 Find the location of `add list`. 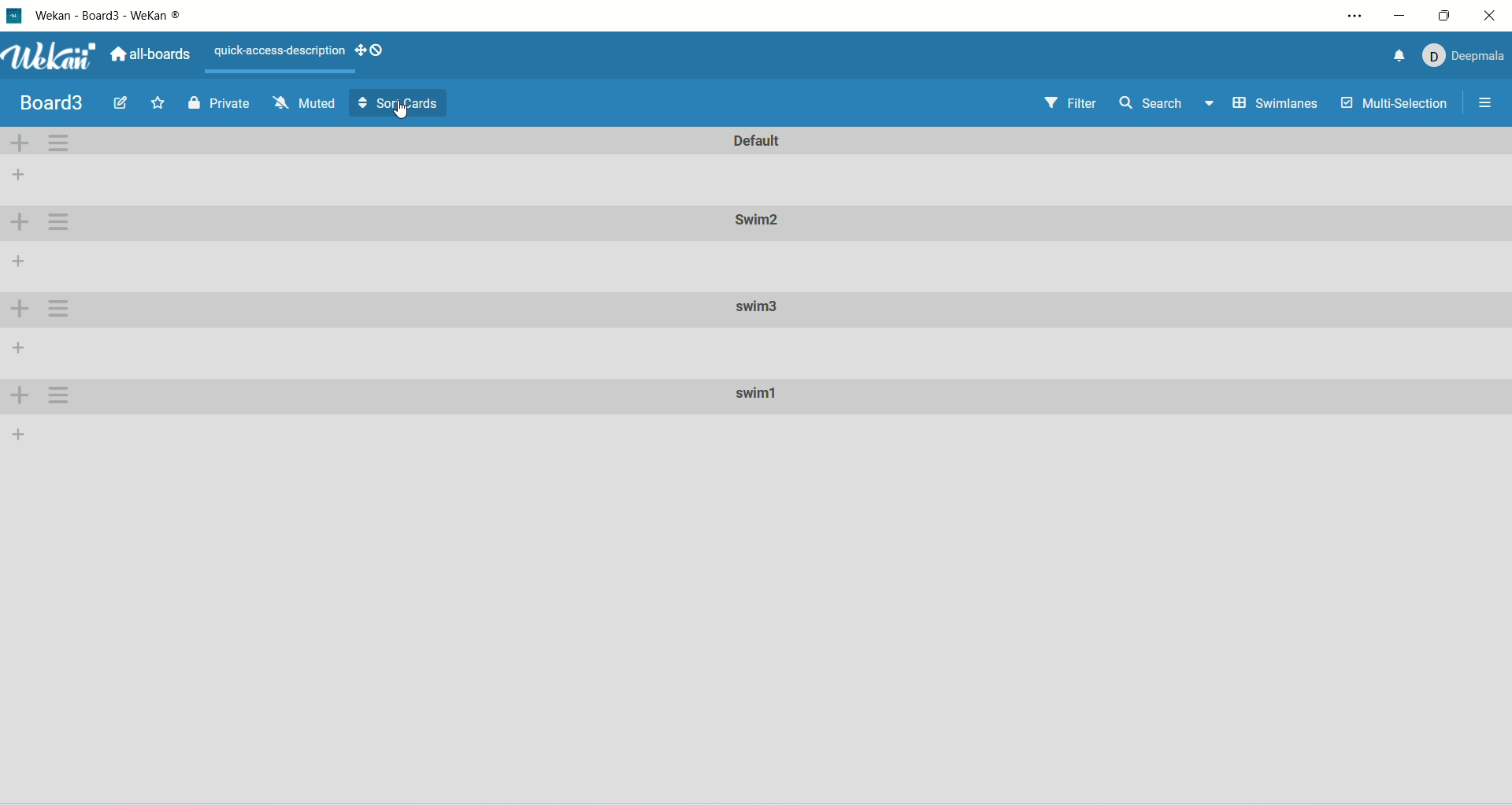

add list is located at coordinates (18, 432).